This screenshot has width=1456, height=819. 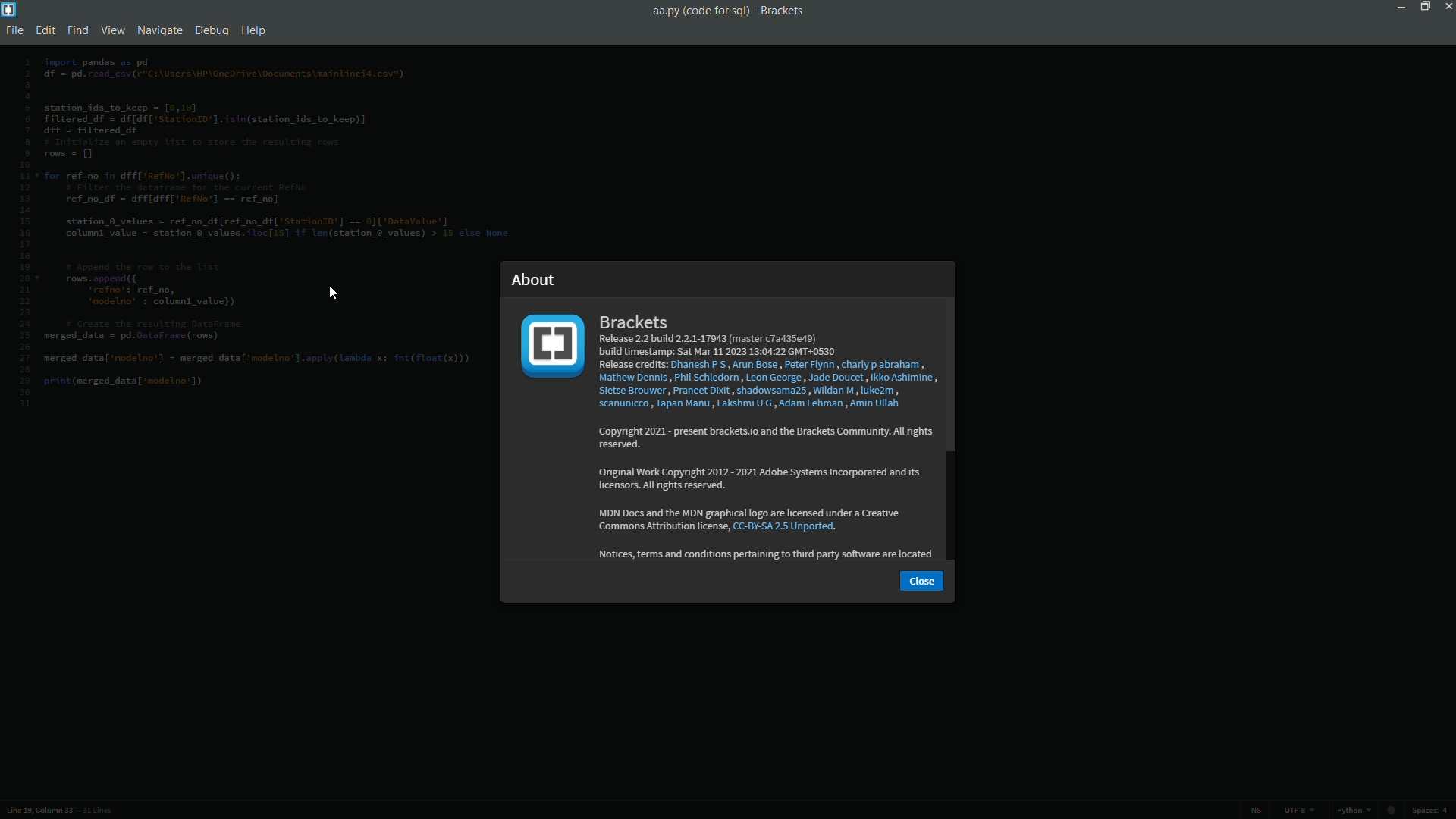 I want to click on Brackets

Release 2.2 build 2.2.1-17943 (master c7a435e49)

build timestamp: Sat Mar 11 2023 13:04:22 GMT+0530

Release credits: Dhanesh P'S , Arun Bose, Peter Flynn , charly p abraham,
Mathew Dennis, Phil Schledorn , Leon George , Jade Doucet , Ikko Ashimine
Sietse Brouwer, Praneet Dixit , shadowsama25 , Wildan M, luke2m ,
scanunicco , Tapan Manu , Lakshmi U G , Adam Lehman , Amin Ullah, so click(x=763, y=360).